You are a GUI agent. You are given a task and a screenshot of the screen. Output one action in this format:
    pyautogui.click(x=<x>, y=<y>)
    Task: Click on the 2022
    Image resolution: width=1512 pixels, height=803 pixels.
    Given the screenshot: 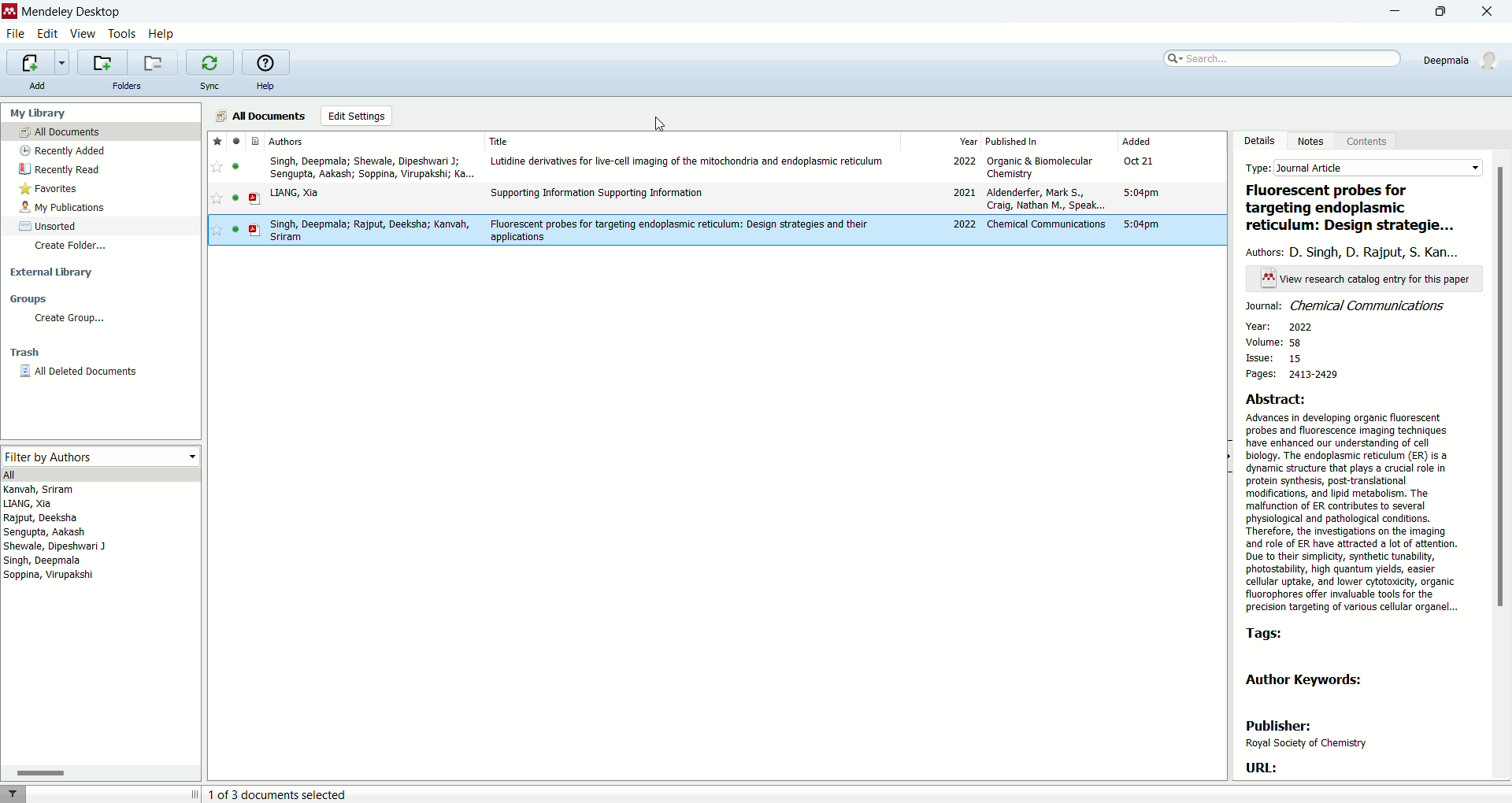 What is the action you would take?
    pyautogui.click(x=962, y=162)
    